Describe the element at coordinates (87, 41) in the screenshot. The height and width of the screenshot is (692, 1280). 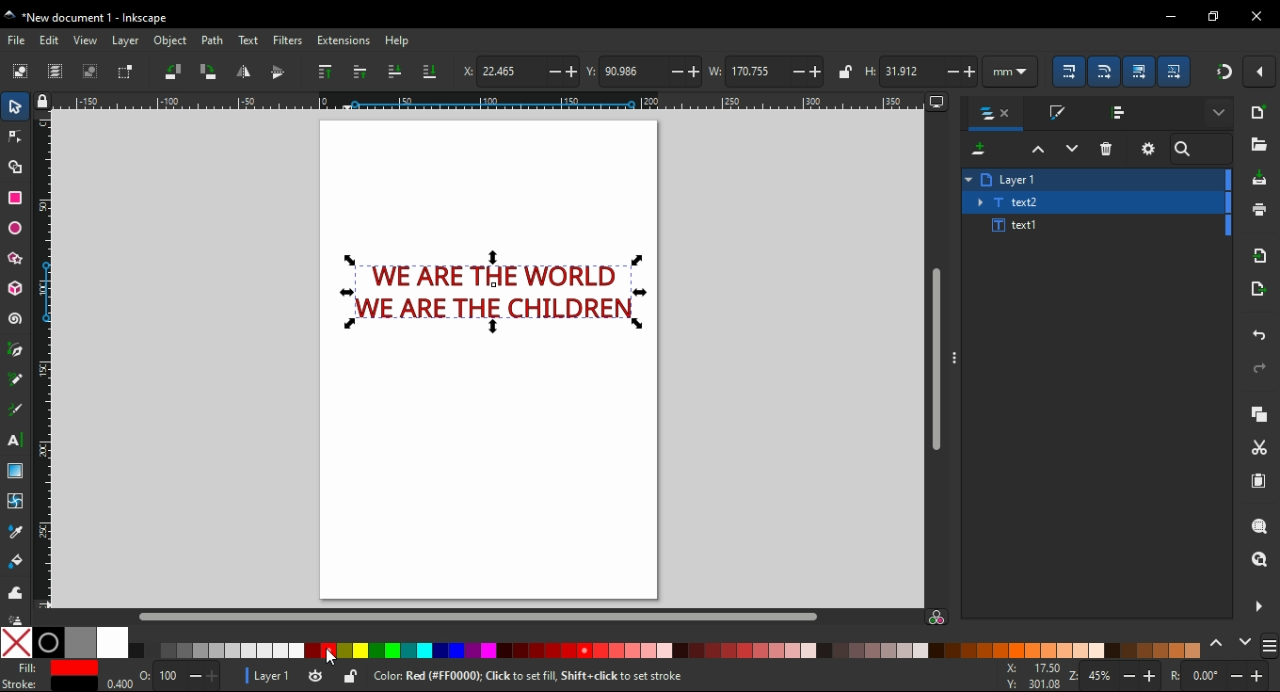
I see `view` at that location.